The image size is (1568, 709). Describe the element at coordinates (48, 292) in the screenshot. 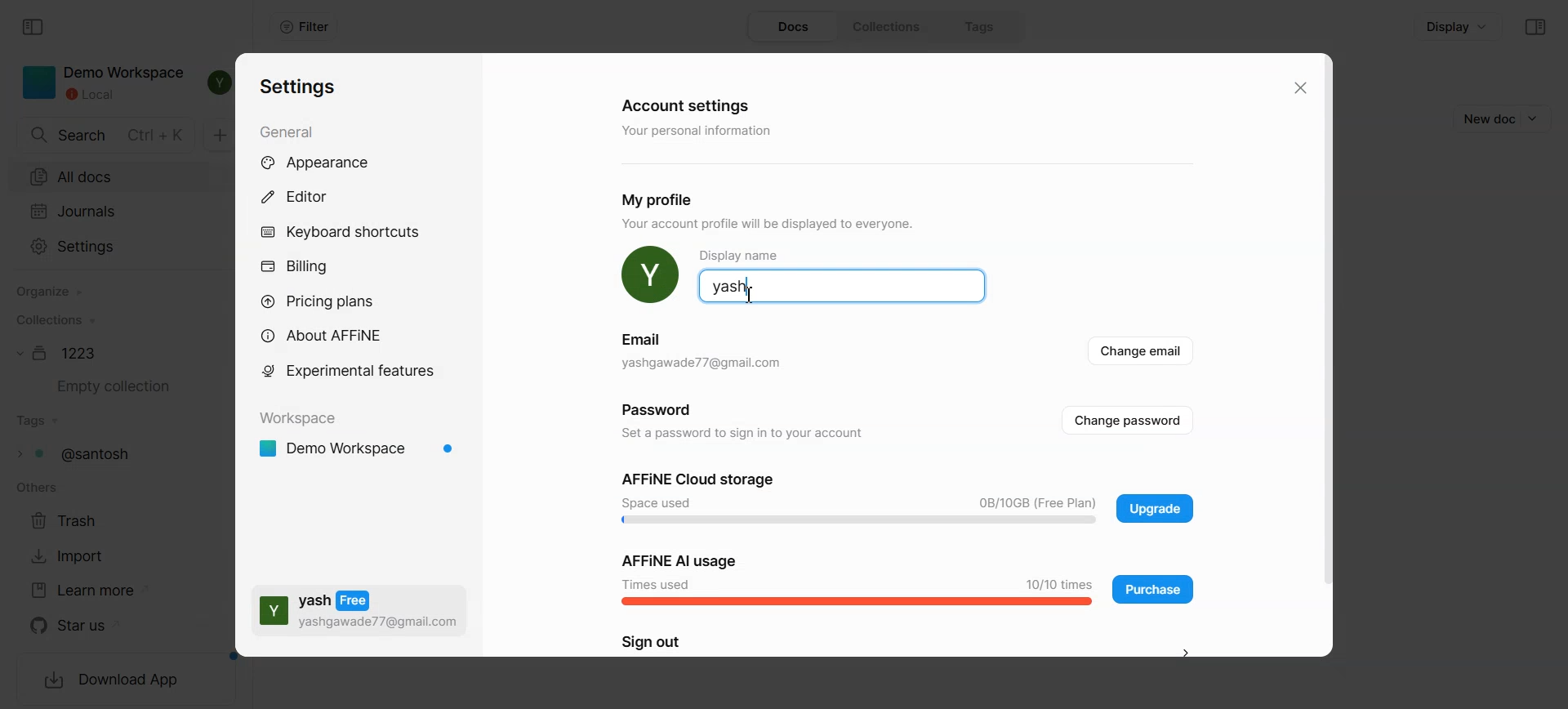

I see `Organize` at that location.